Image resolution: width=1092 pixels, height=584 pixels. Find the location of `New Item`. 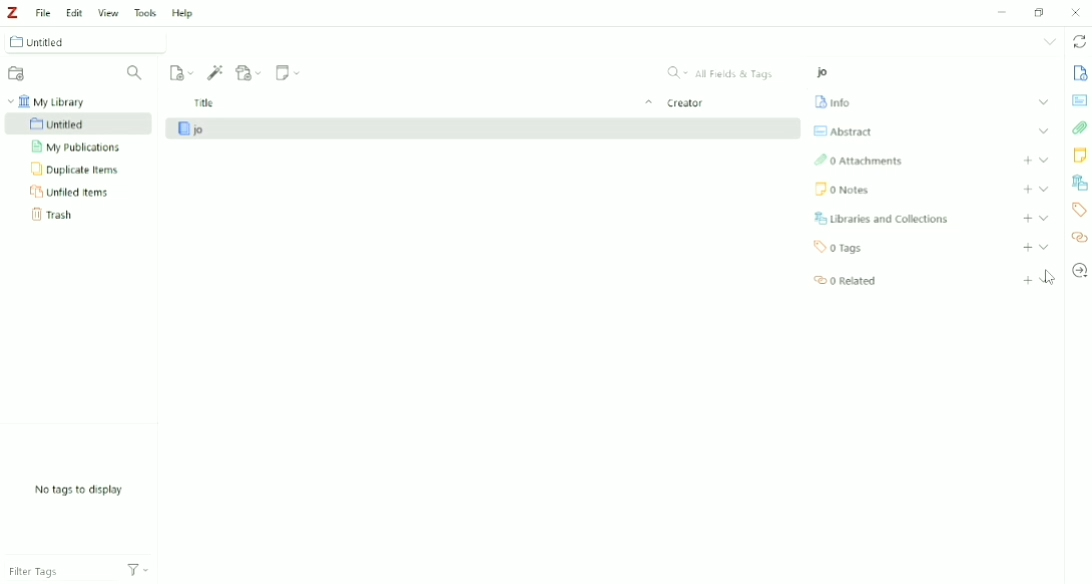

New Item is located at coordinates (183, 73).